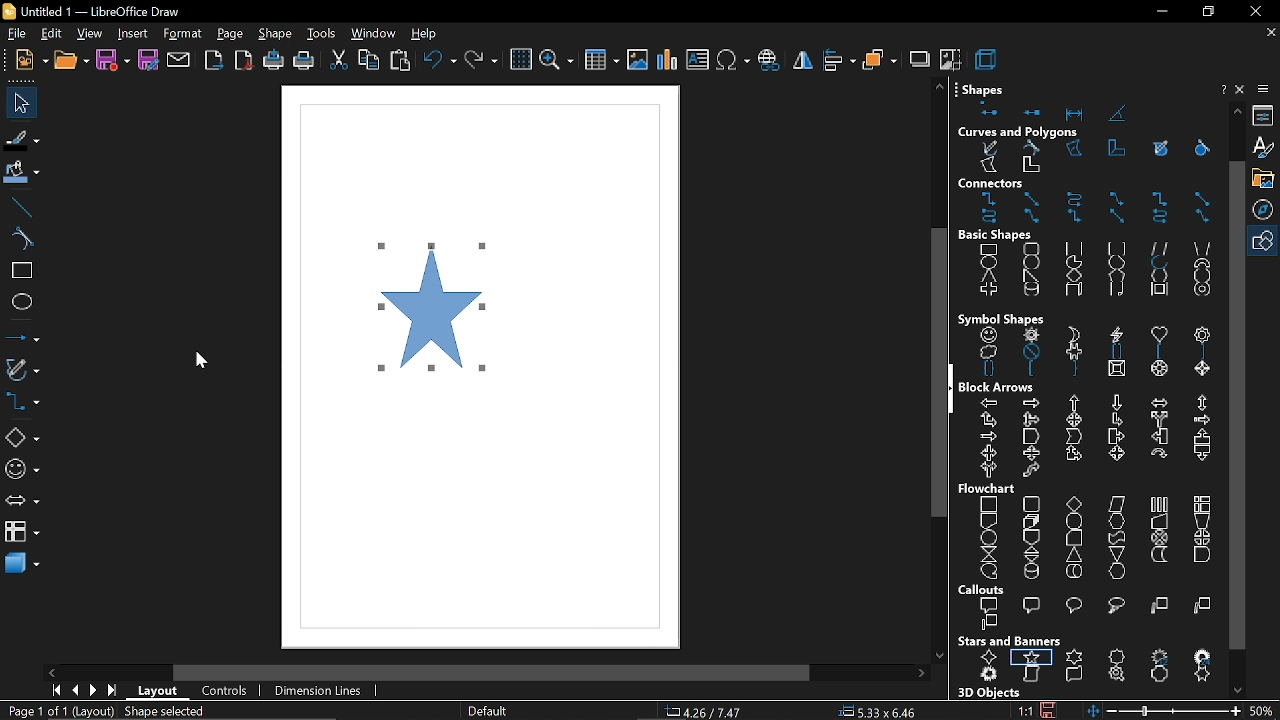  What do you see at coordinates (180, 61) in the screenshot?
I see `attach` at bounding box center [180, 61].